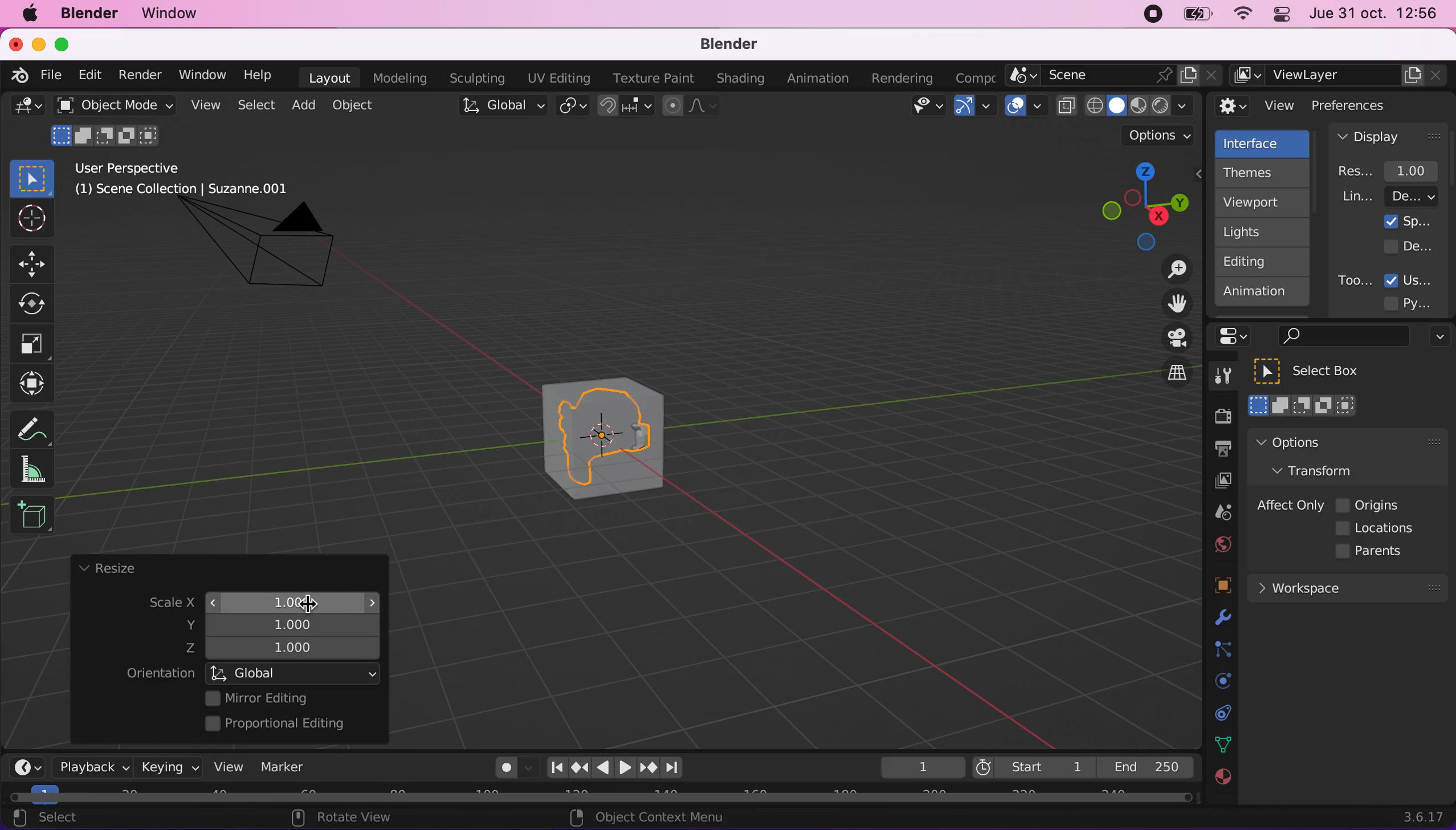  Describe the element at coordinates (160, 674) in the screenshot. I see `orientation` at that location.